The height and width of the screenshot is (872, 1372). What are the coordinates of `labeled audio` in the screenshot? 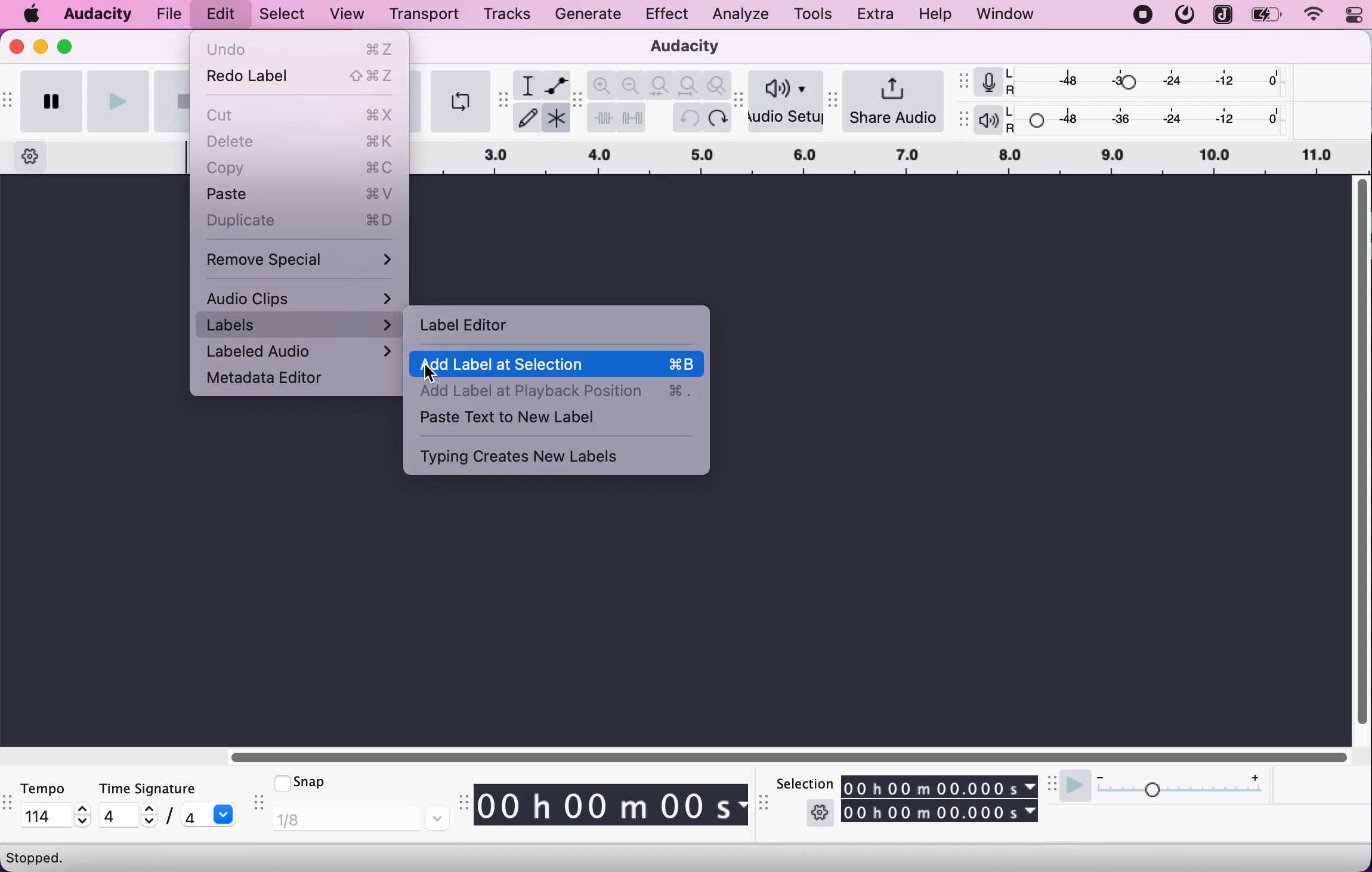 It's located at (300, 352).